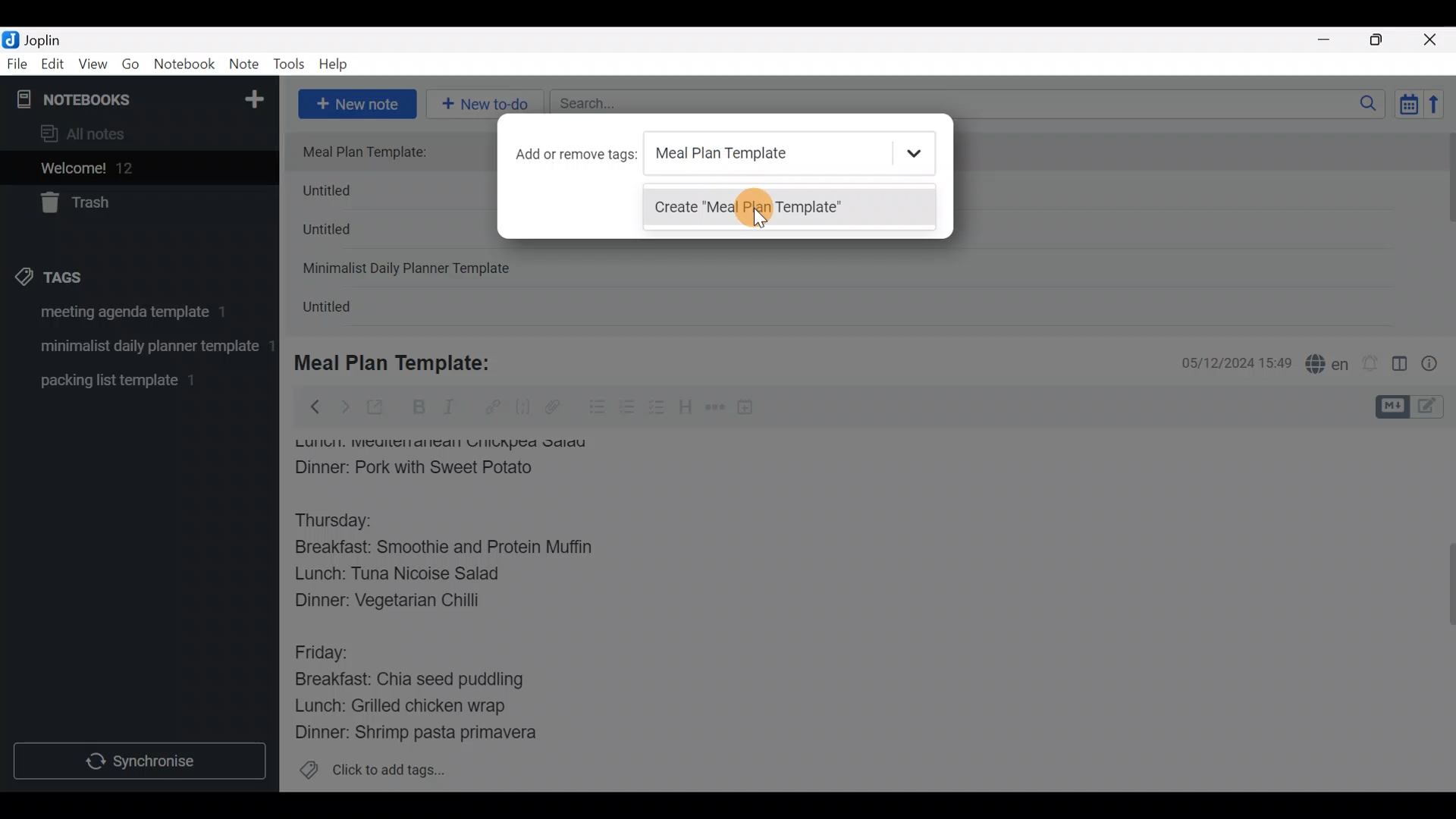  I want to click on Notebooks, so click(107, 99).